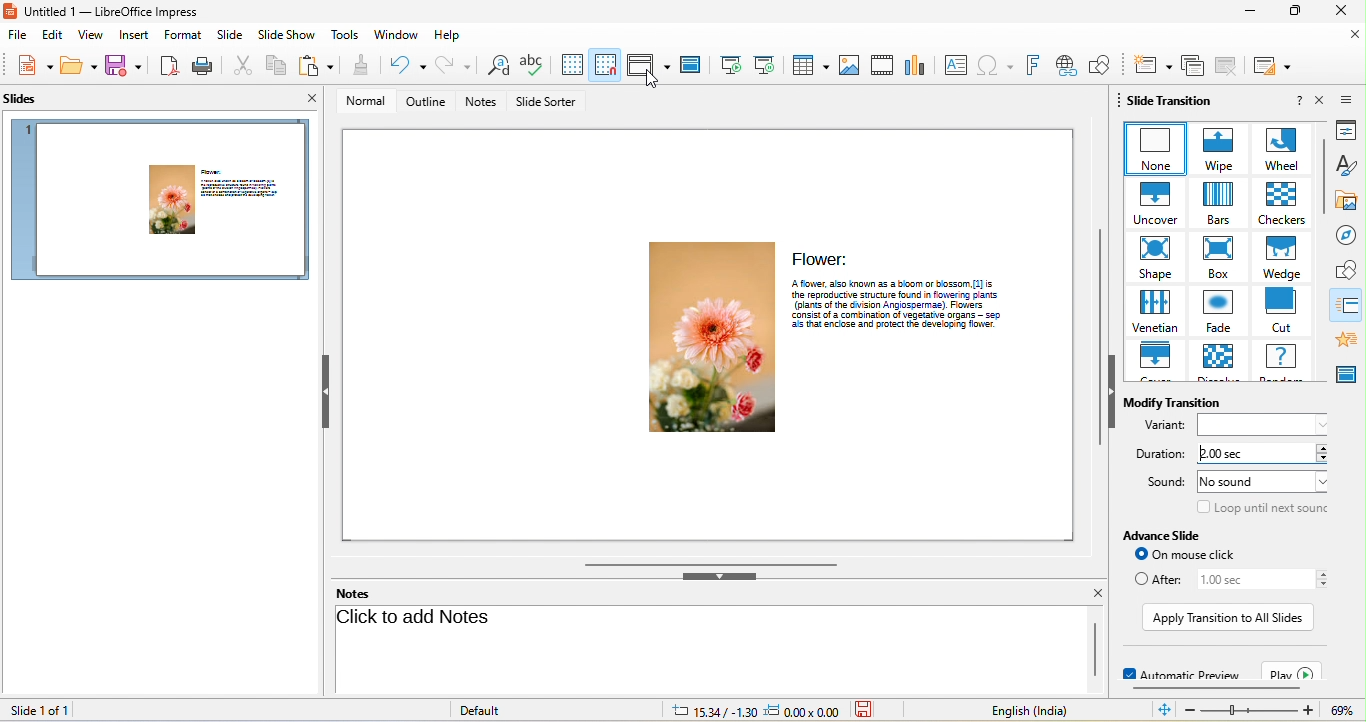 This screenshot has width=1366, height=722. Describe the element at coordinates (397, 36) in the screenshot. I see `window` at that location.